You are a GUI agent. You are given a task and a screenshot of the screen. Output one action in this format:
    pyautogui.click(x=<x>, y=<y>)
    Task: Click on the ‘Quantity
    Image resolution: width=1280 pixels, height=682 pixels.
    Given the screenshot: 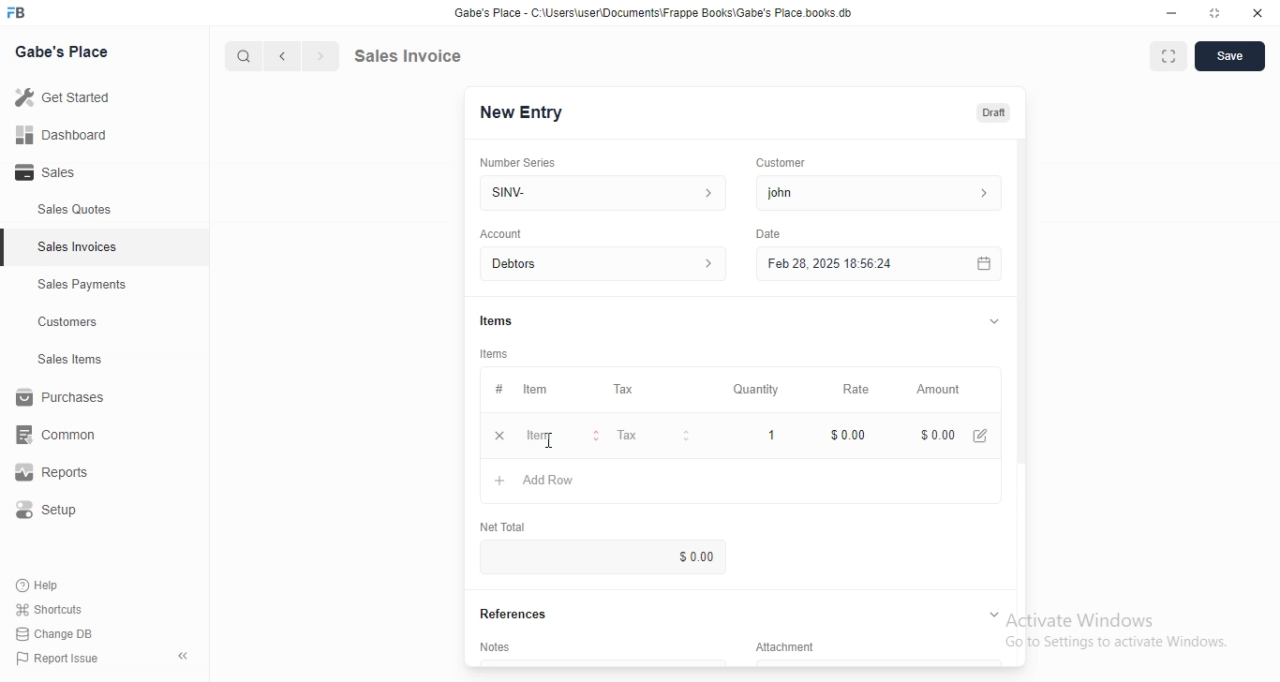 What is the action you would take?
    pyautogui.click(x=755, y=389)
    